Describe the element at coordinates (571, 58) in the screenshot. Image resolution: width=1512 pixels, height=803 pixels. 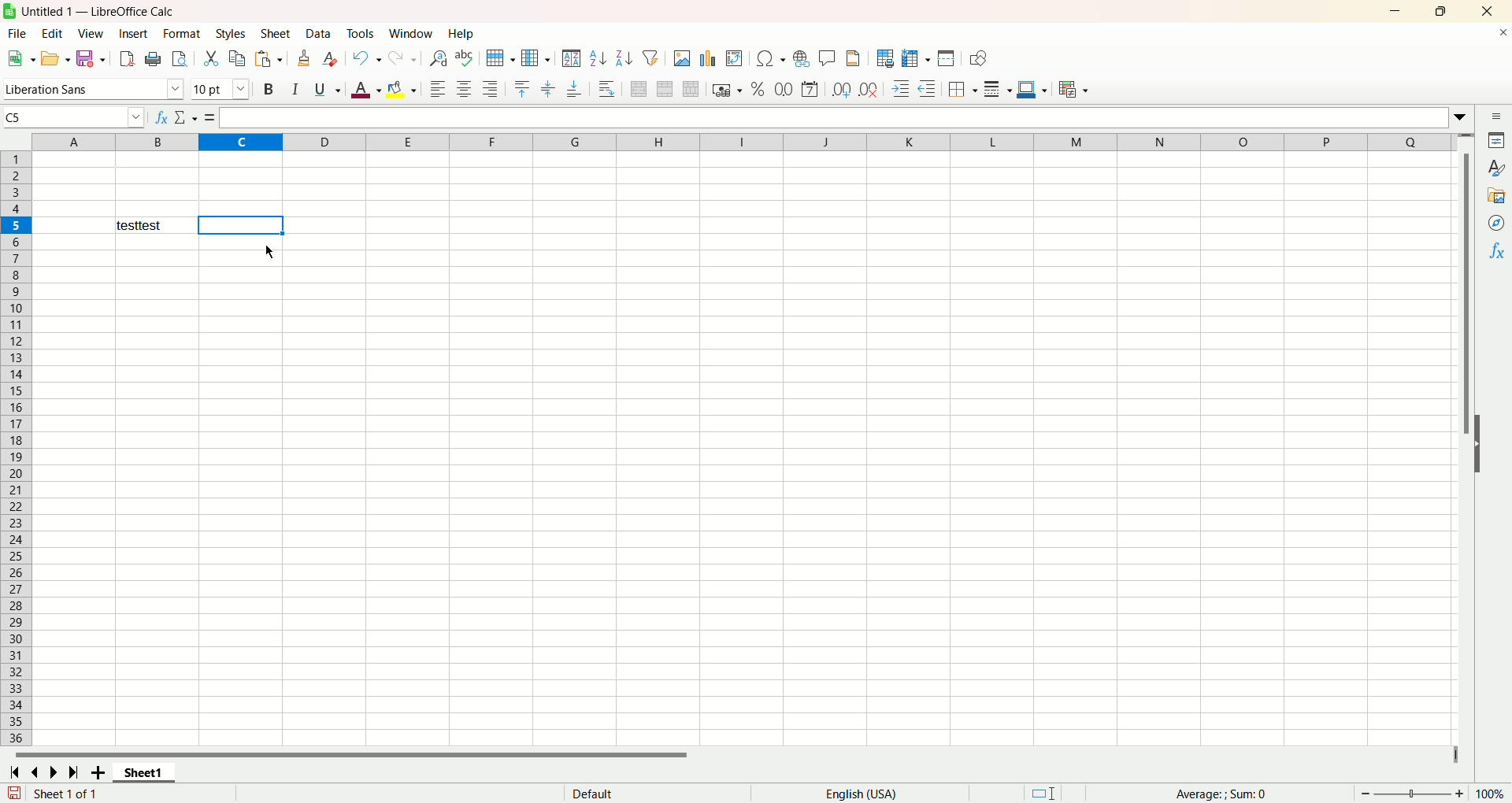
I see `sort` at that location.